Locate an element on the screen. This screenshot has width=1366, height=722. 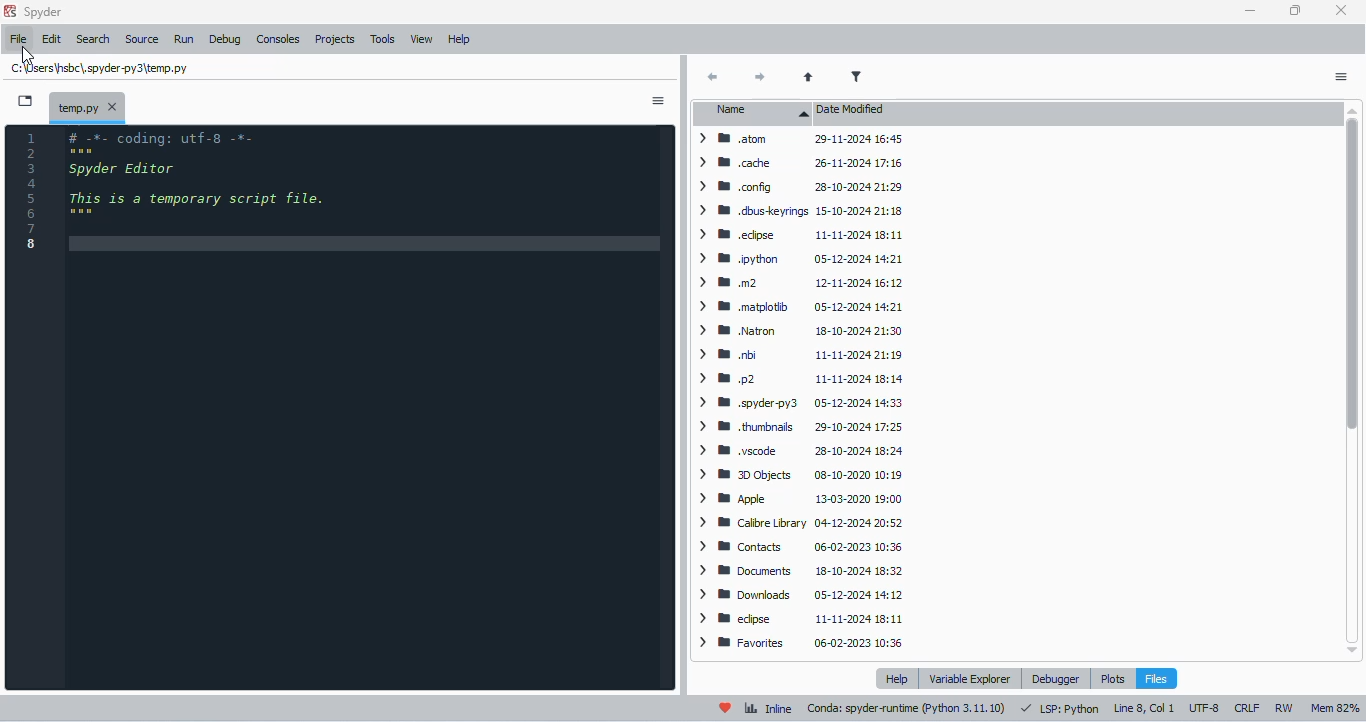
> mom 12-11-2024 16:12 is located at coordinates (797, 281).